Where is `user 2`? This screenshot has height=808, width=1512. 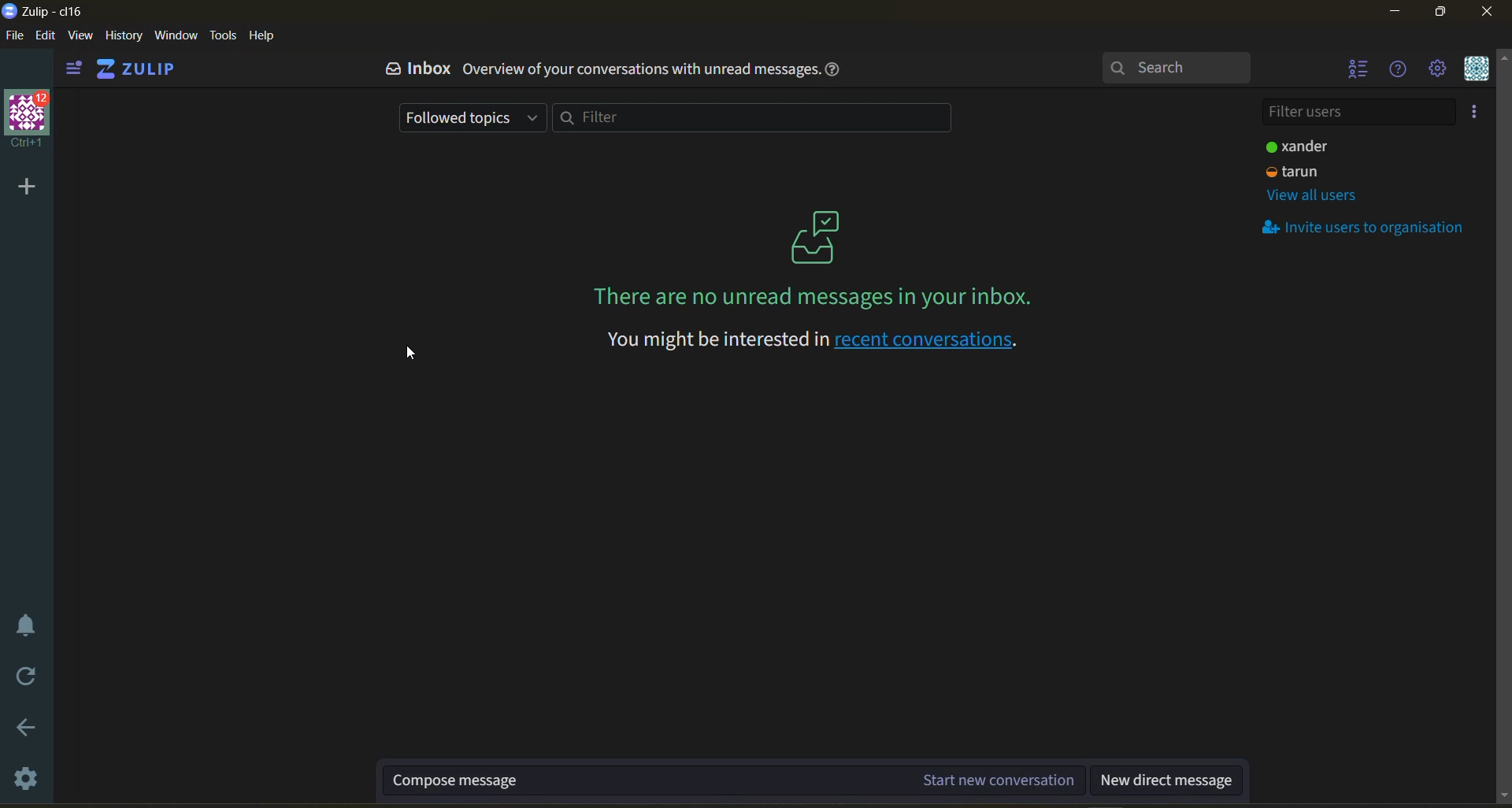 user 2 is located at coordinates (1299, 174).